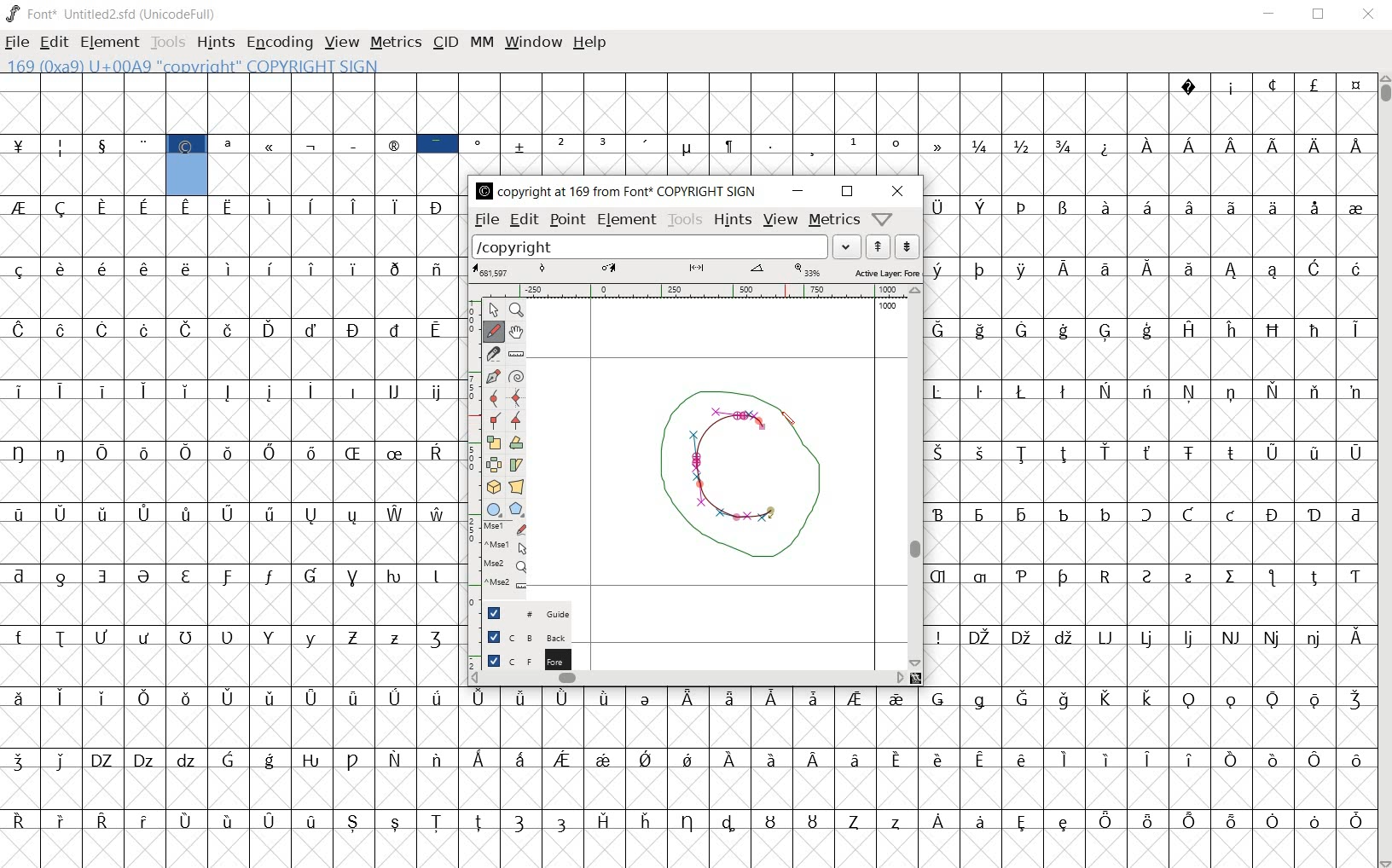 The image size is (1392, 868). I want to click on Encoding, so click(279, 43).